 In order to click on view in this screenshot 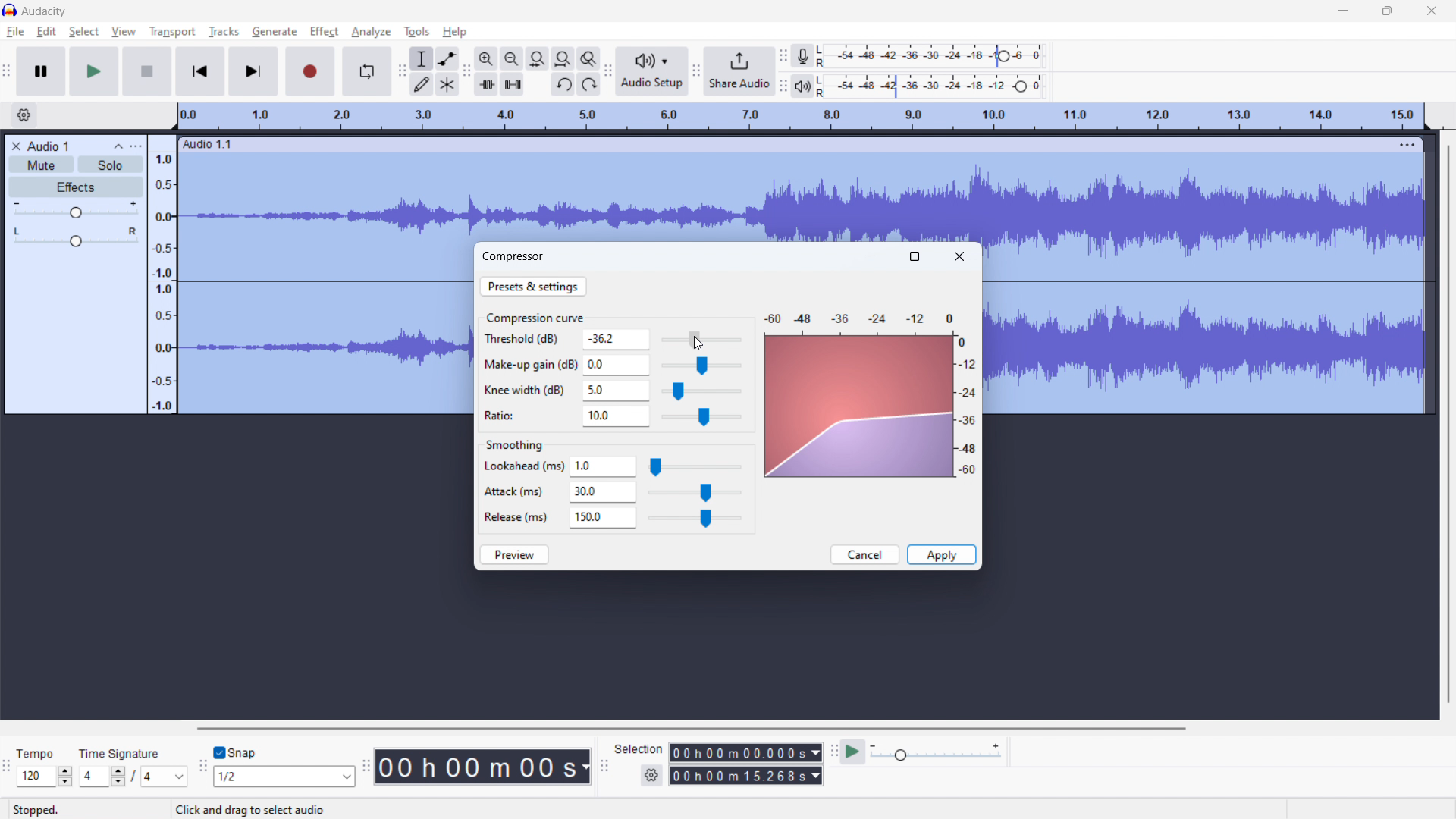, I will do `click(124, 32)`.